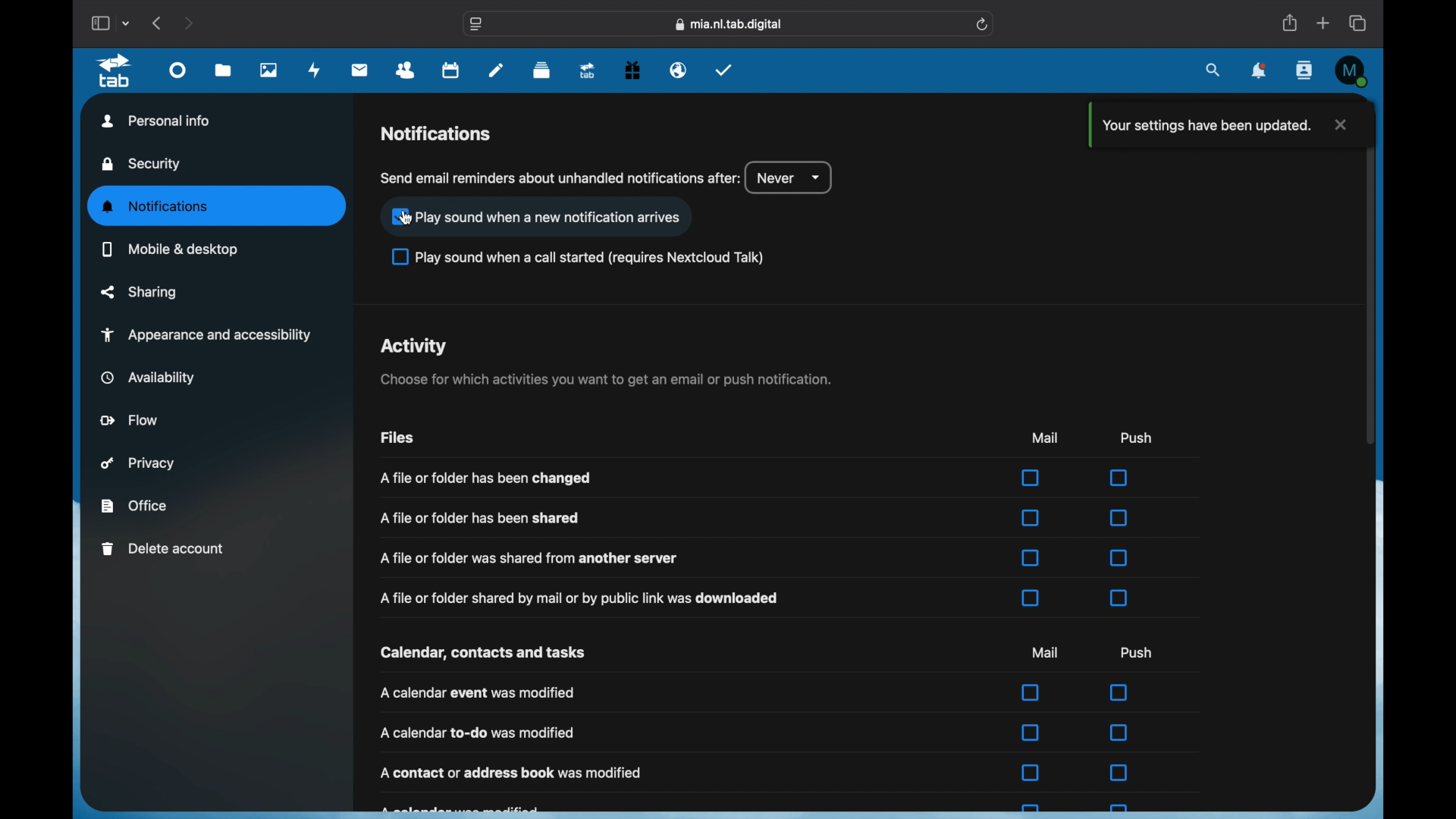 The image size is (1456, 819). I want to click on checkbox, so click(1119, 734).